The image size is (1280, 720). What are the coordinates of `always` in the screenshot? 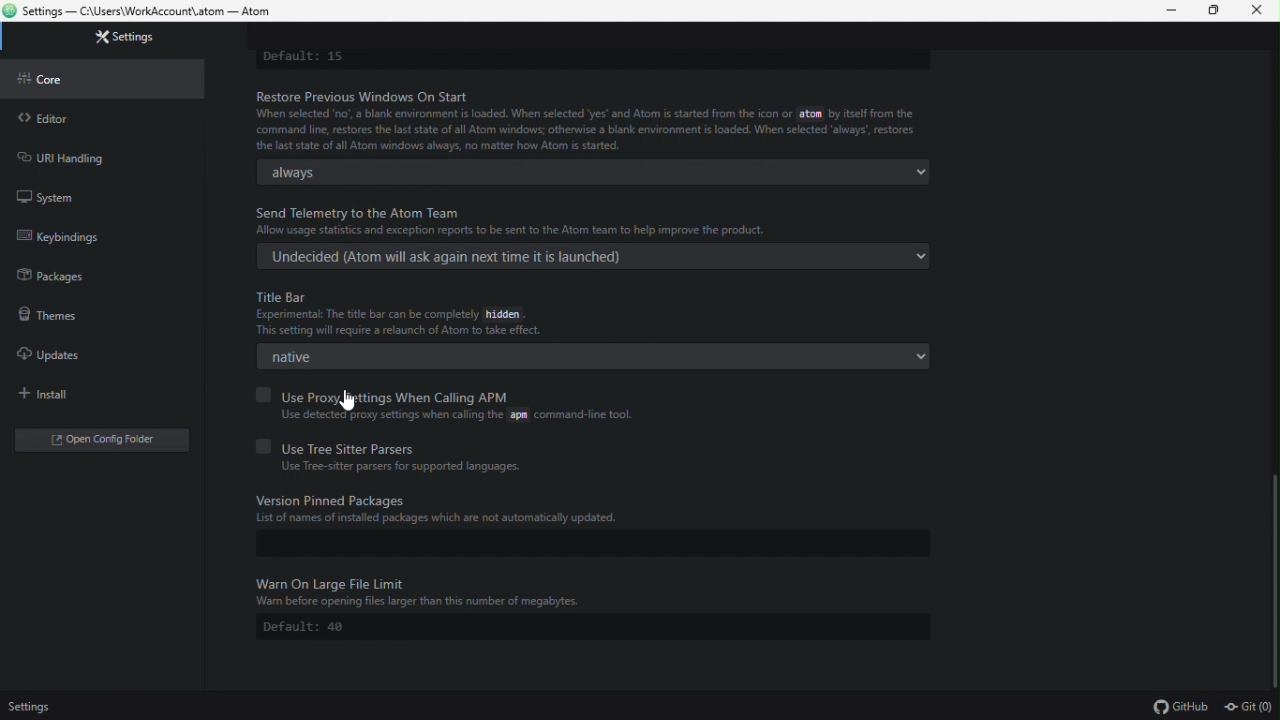 It's located at (592, 172).